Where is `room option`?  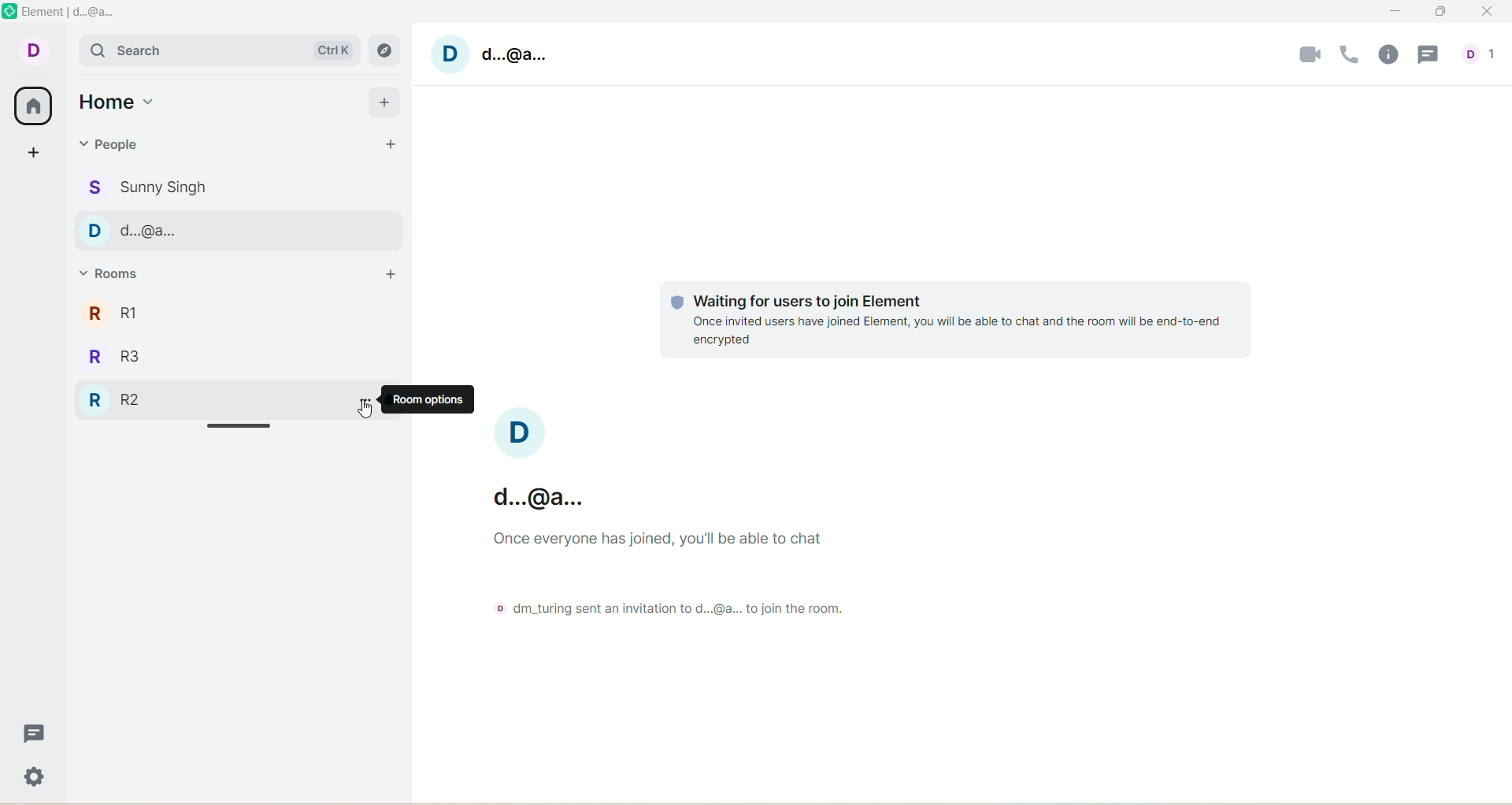 room option is located at coordinates (429, 402).